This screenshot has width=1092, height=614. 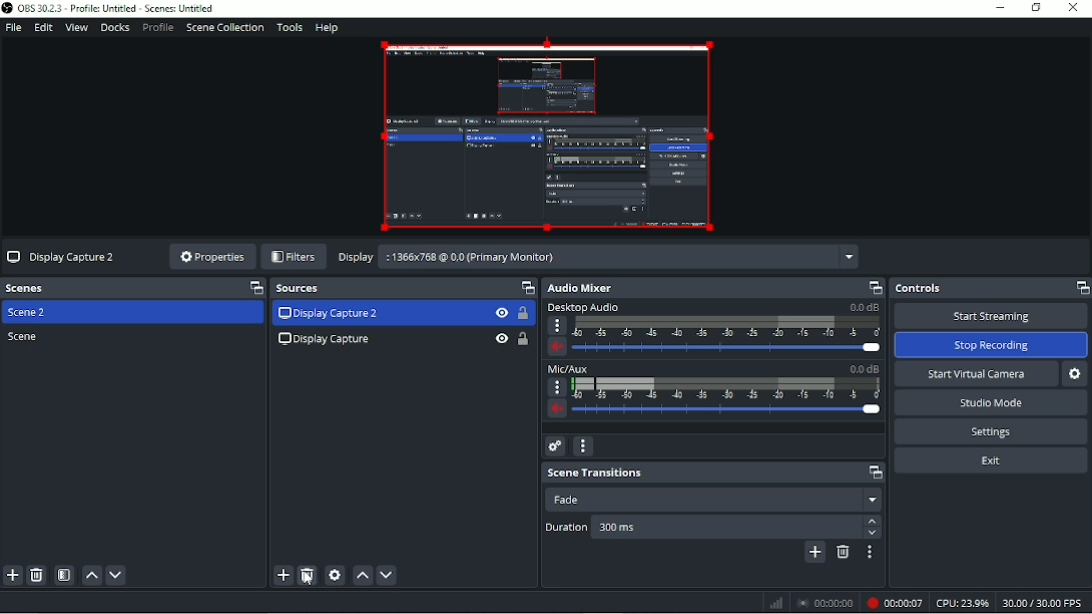 I want to click on lock/unlock, so click(x=527, y=337).